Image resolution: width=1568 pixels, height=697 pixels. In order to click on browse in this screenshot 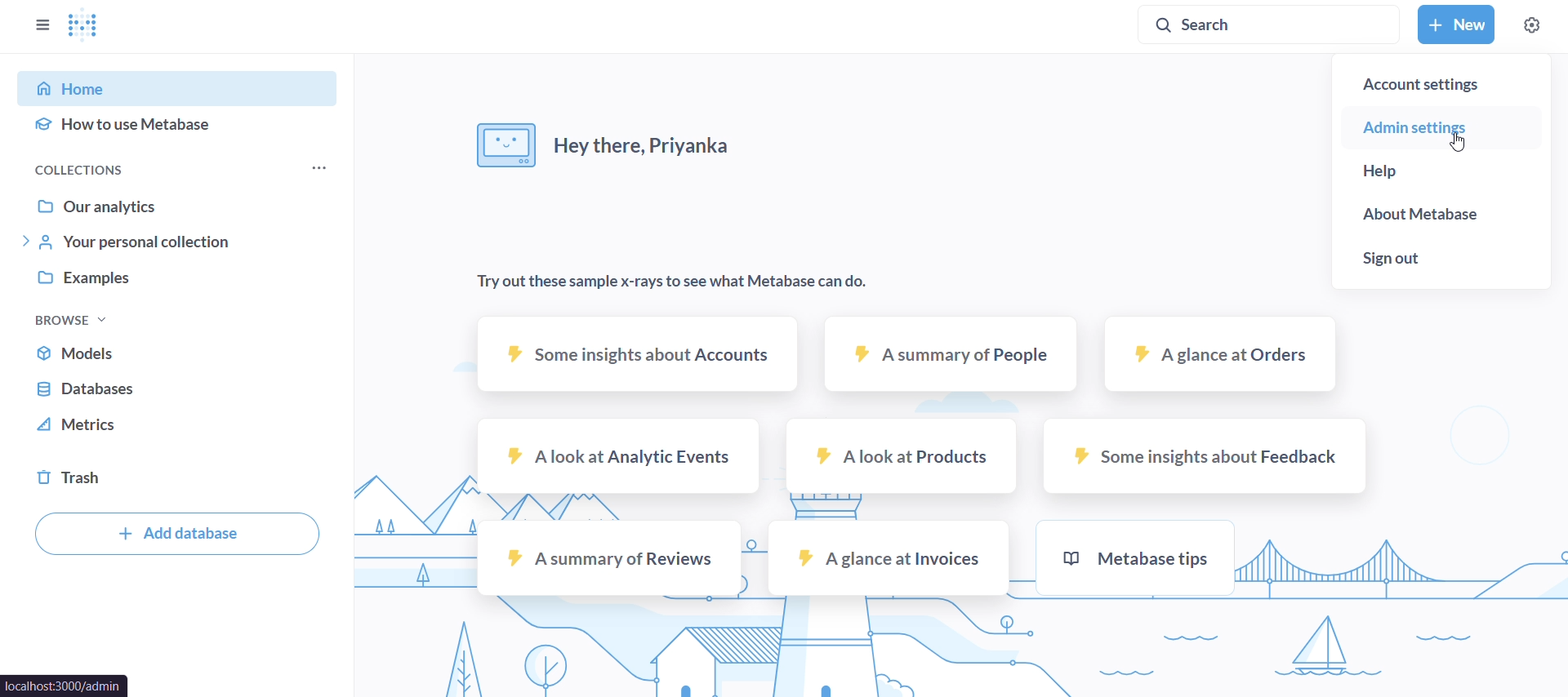, I will do `click(70, 318)`.